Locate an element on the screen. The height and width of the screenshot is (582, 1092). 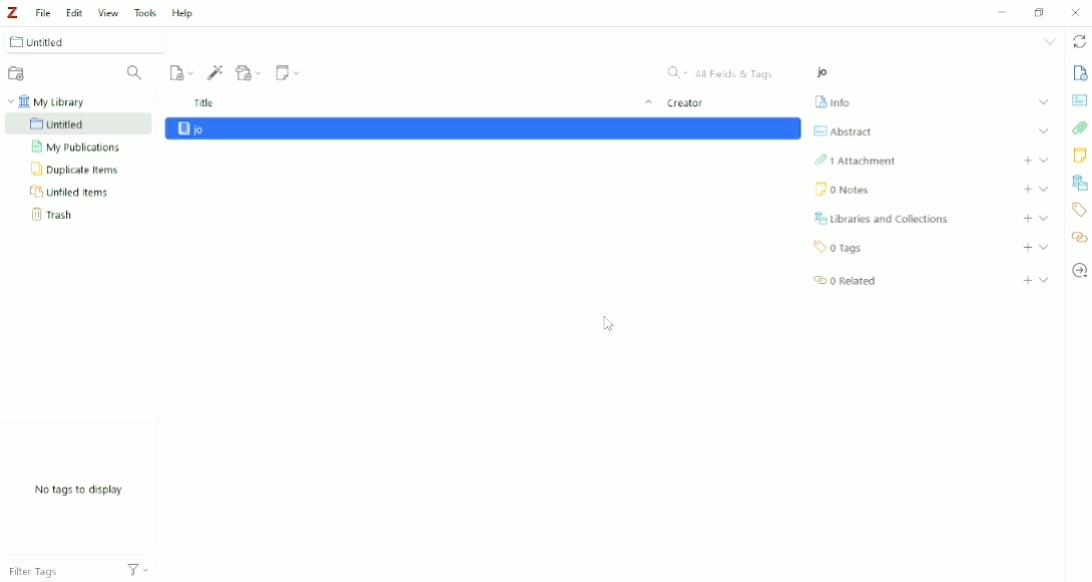
Filter Collections is located at coordinates (138, 74).